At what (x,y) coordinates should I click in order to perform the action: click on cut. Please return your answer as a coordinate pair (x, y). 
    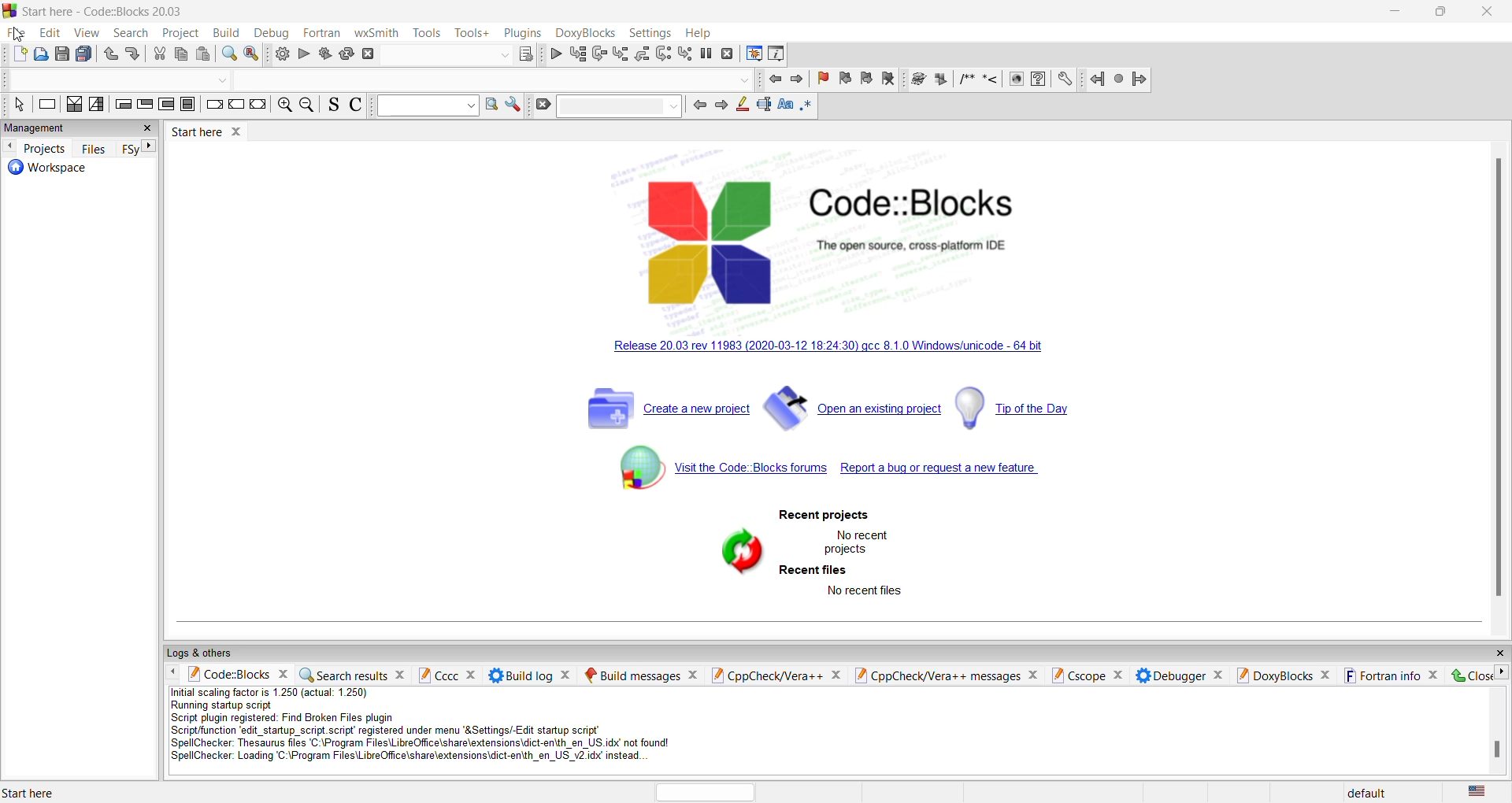
    Looking at the image, I should click on (159, 55).